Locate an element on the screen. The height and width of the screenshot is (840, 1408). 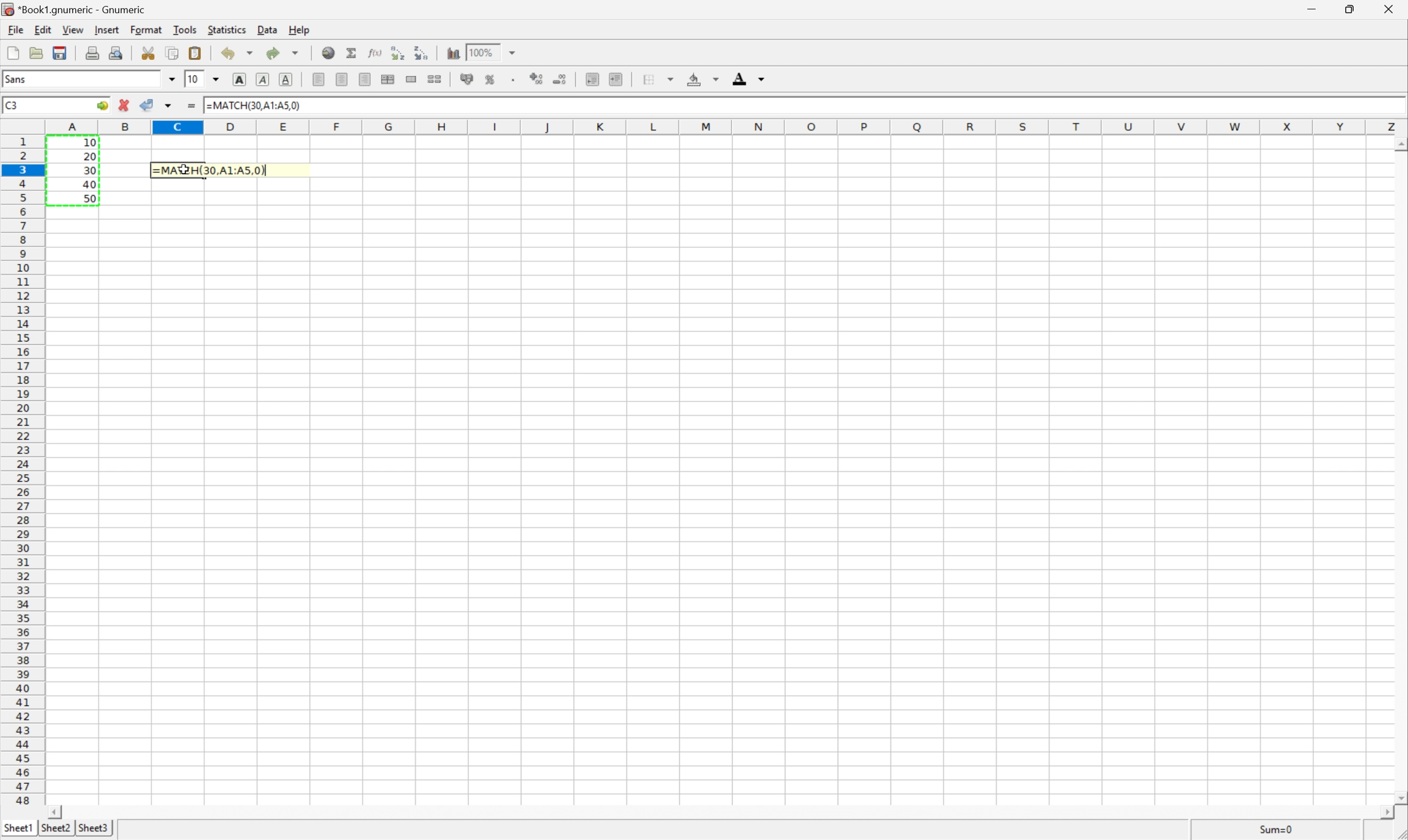
Accept change is located at coordinates (147, 106).